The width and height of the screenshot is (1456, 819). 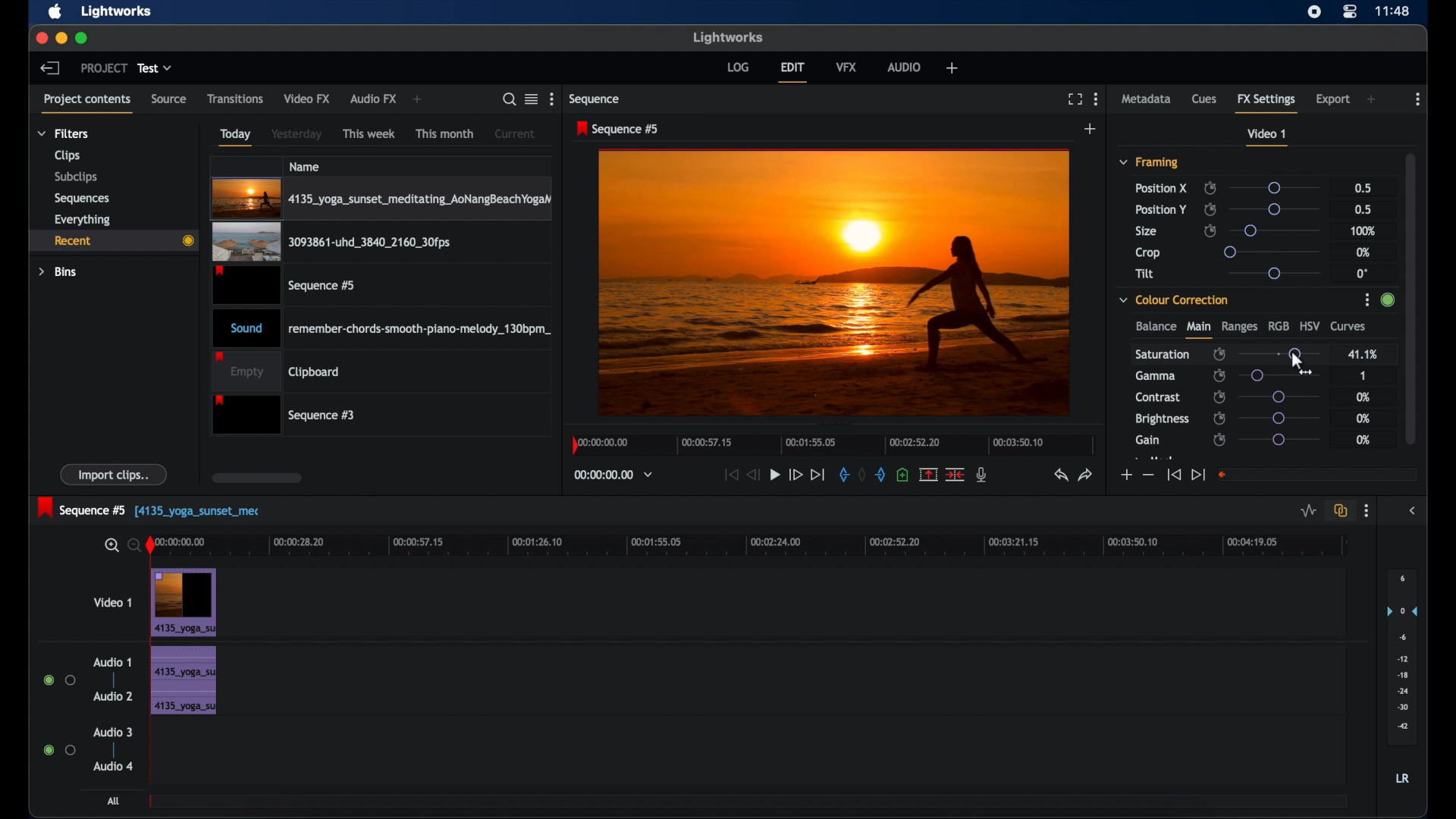 What do you see at coordinates (1361, 187) in the screenshot?
I see `0.5` at bounding box center [1361, 187].